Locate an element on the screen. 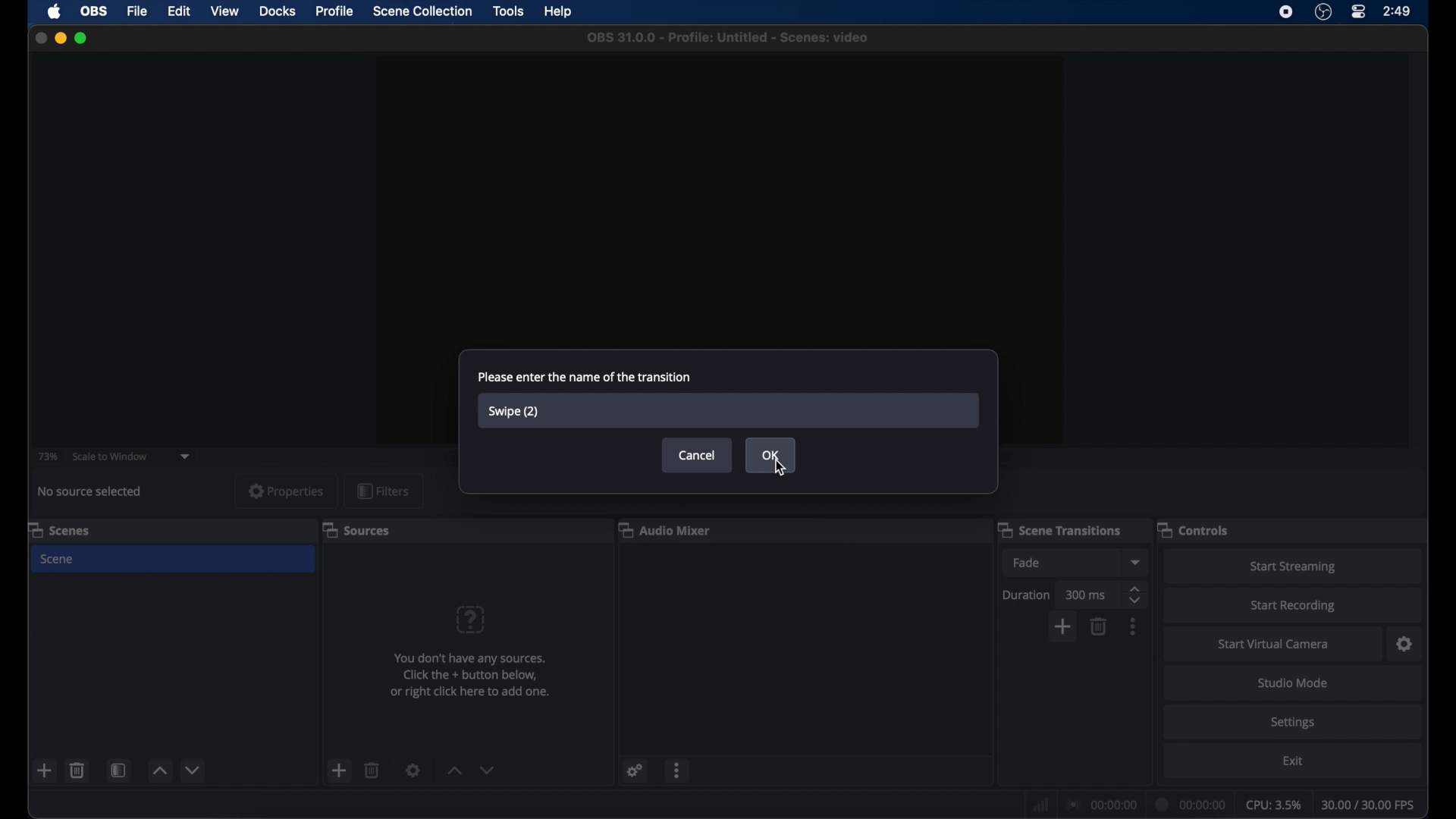 The width and height of the screenshot is (1456, 819). start streaming is located at coordinates (1293, 566).